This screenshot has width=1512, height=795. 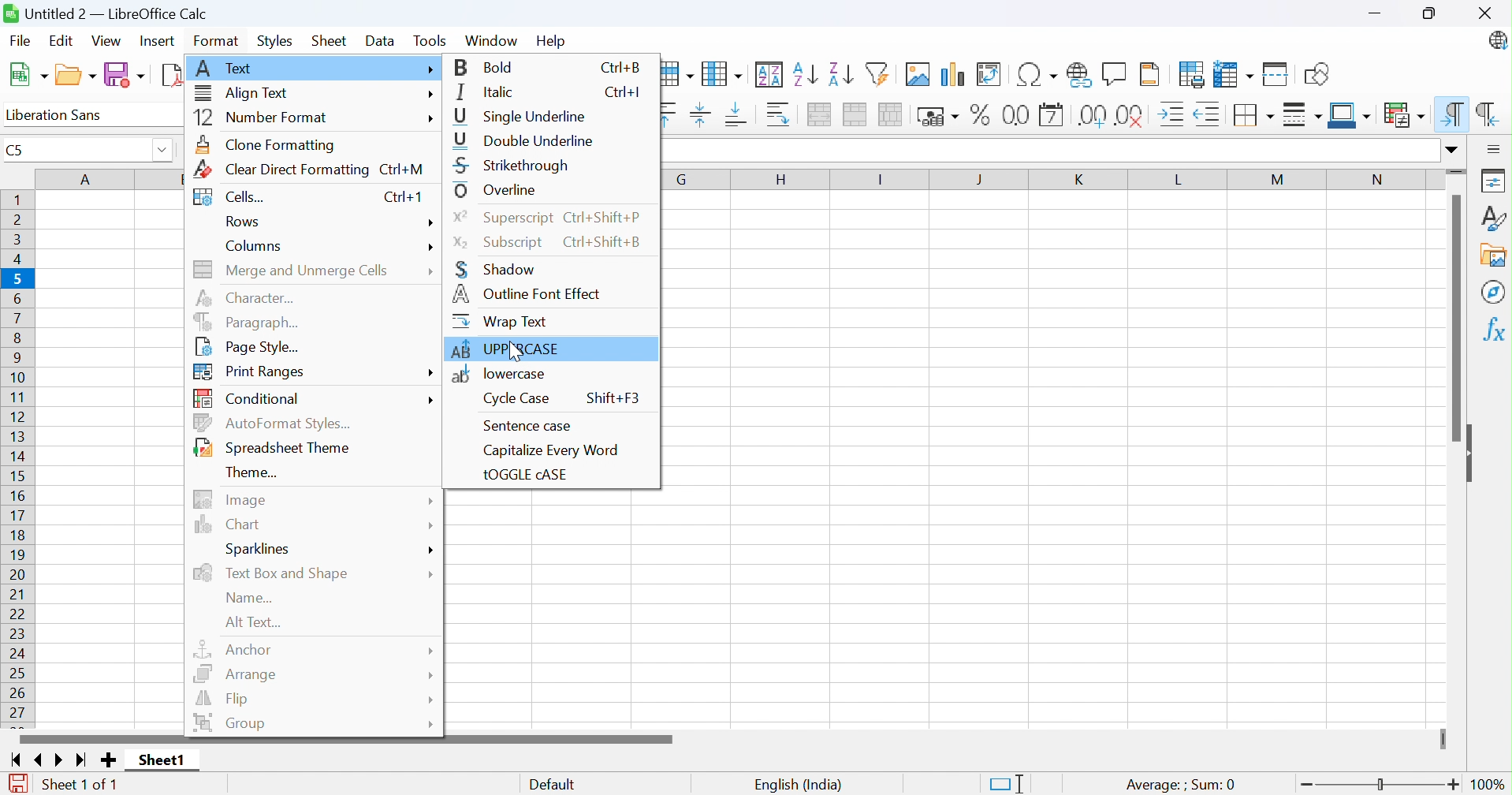 What do you see at coordinates (918, 73) in the screenshot?
I see `Insert image` at bounding box center [918, 73].